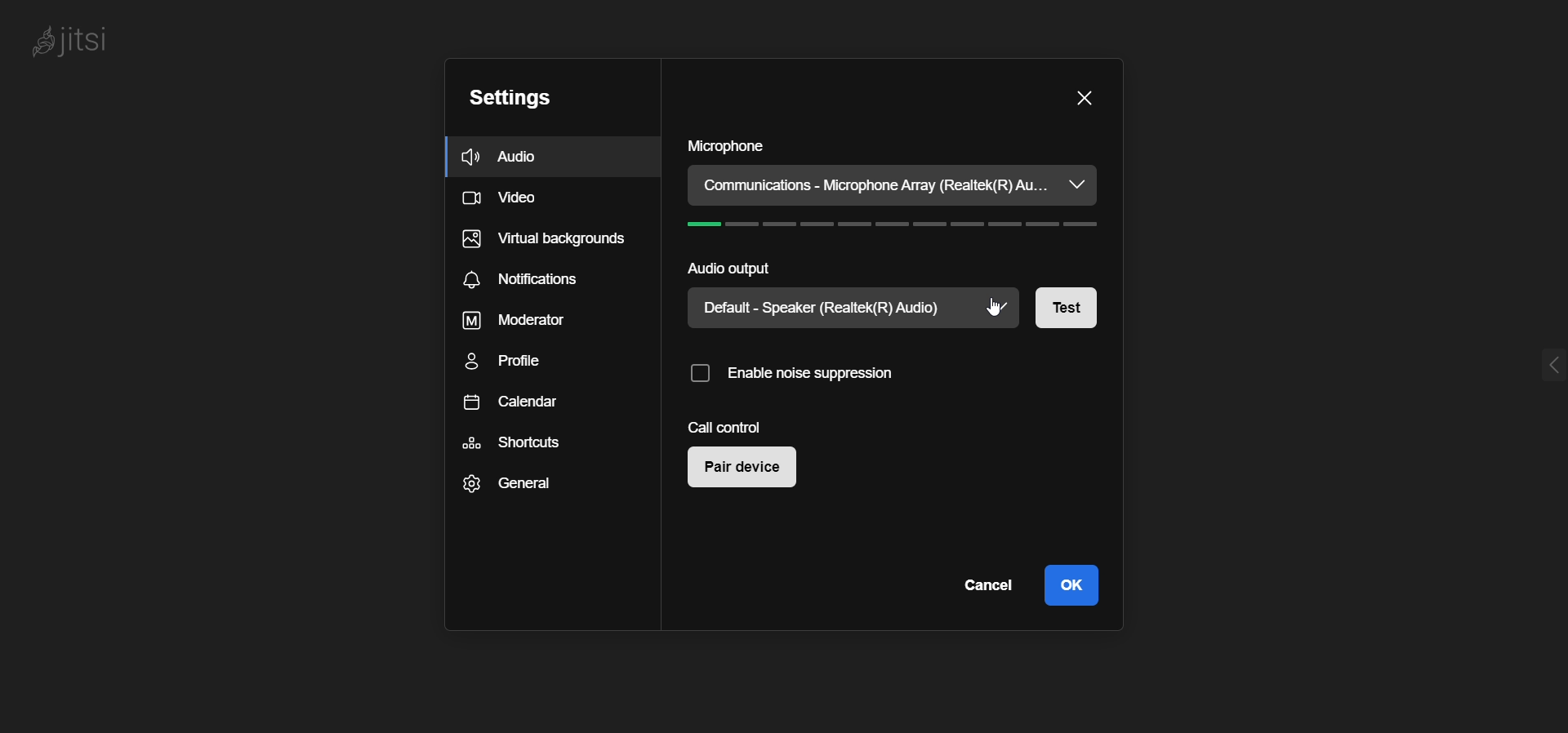 This screenshot has width=1568, height=733. What do you see at coordinates (508, 322) in the screenshot?
I see `moderator` at bounding box center [508, 322].